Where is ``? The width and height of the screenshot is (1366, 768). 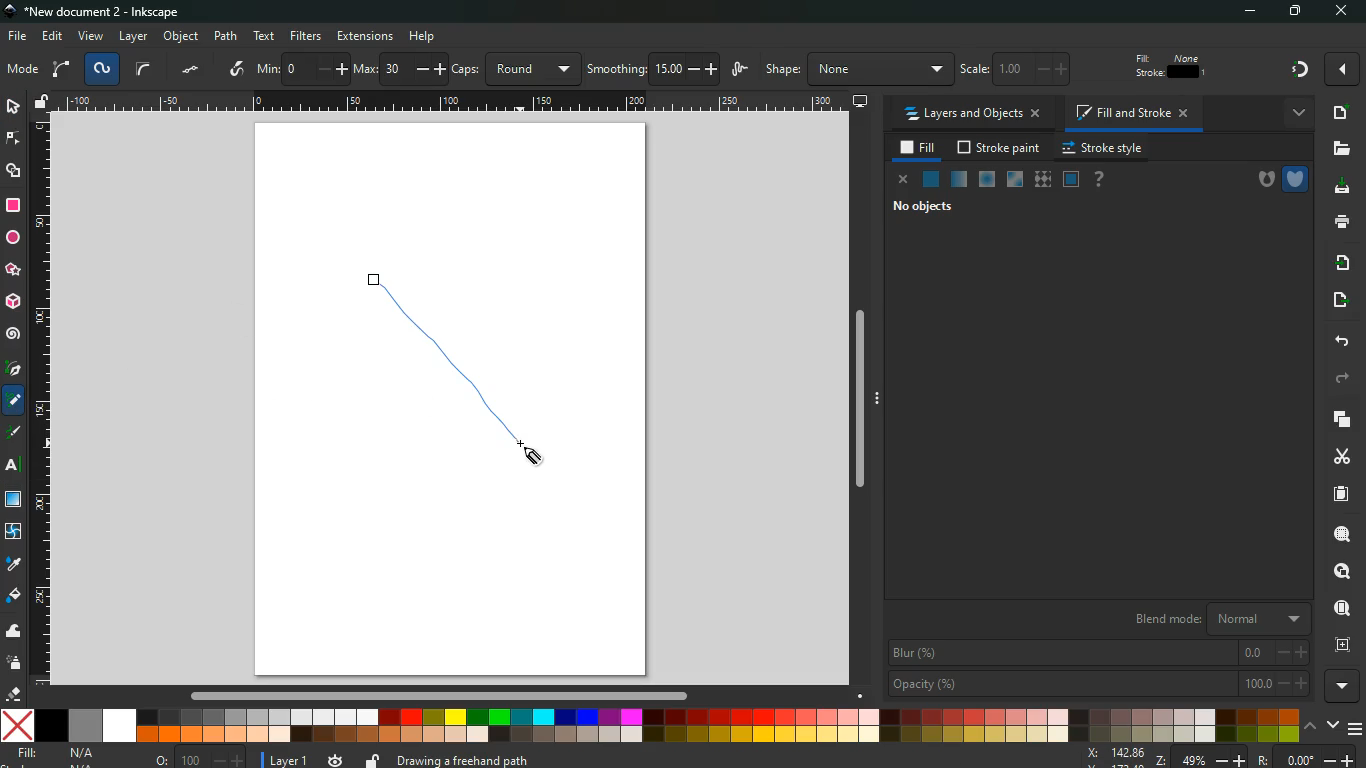  is located at coordinates (435, 696).